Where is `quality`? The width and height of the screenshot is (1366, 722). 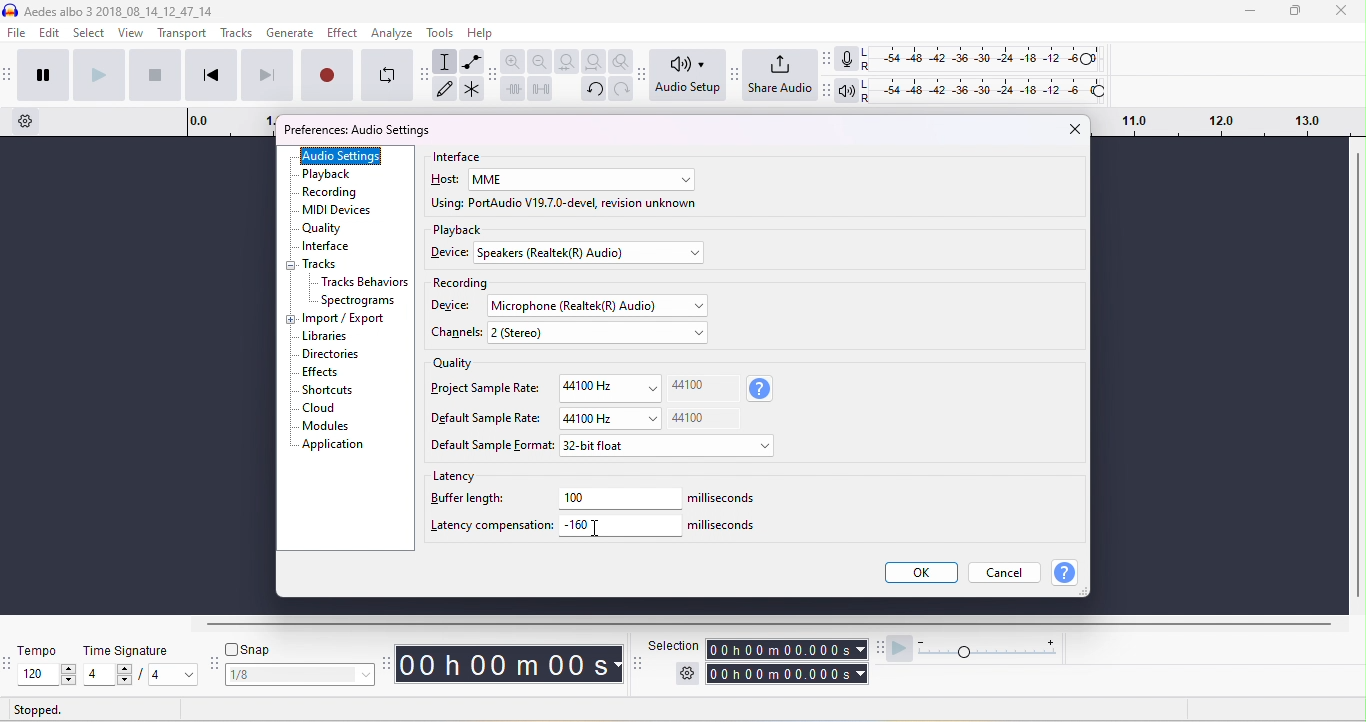 quality is located at coordinates (452, 365).